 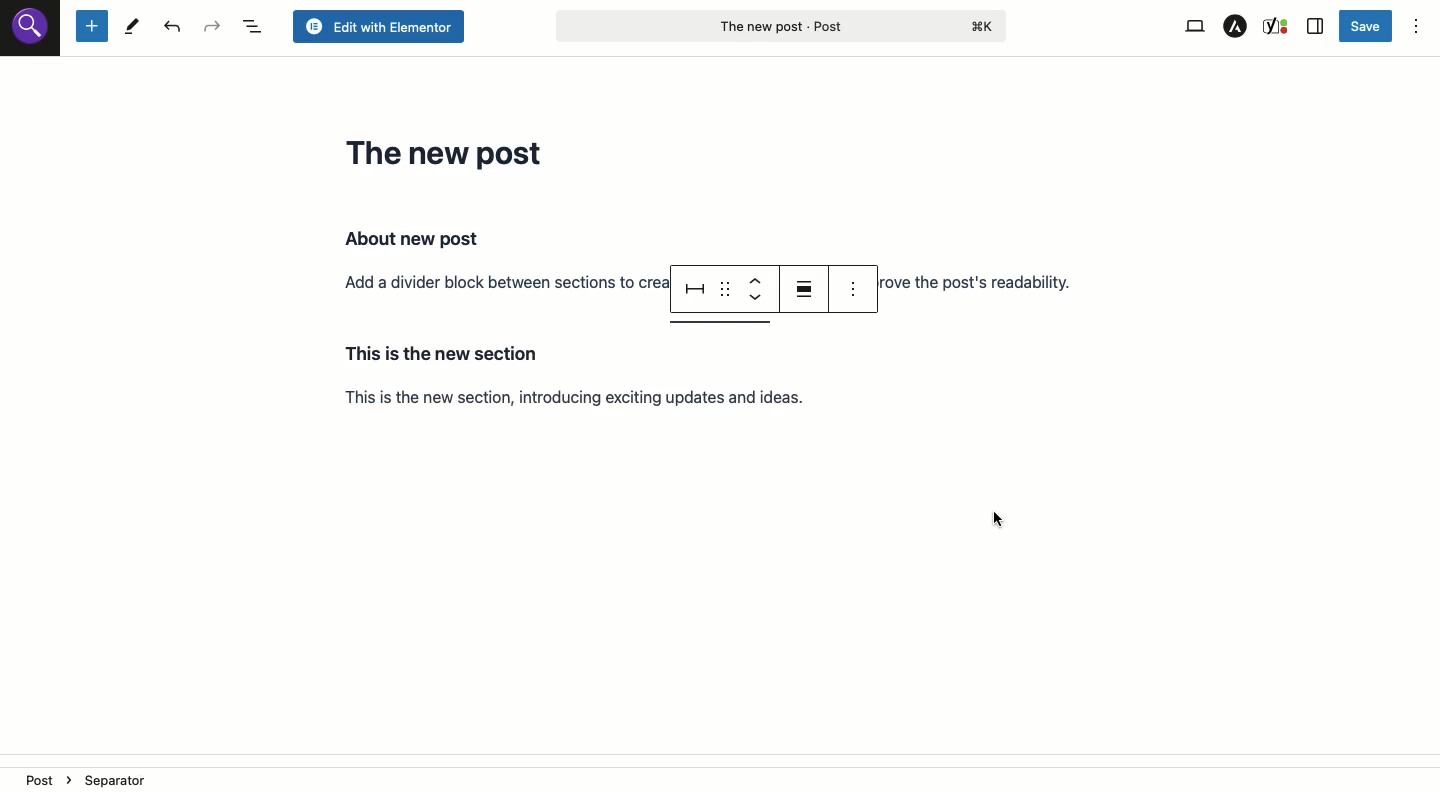 I want to click on Options, so click(x=1416, y=28).